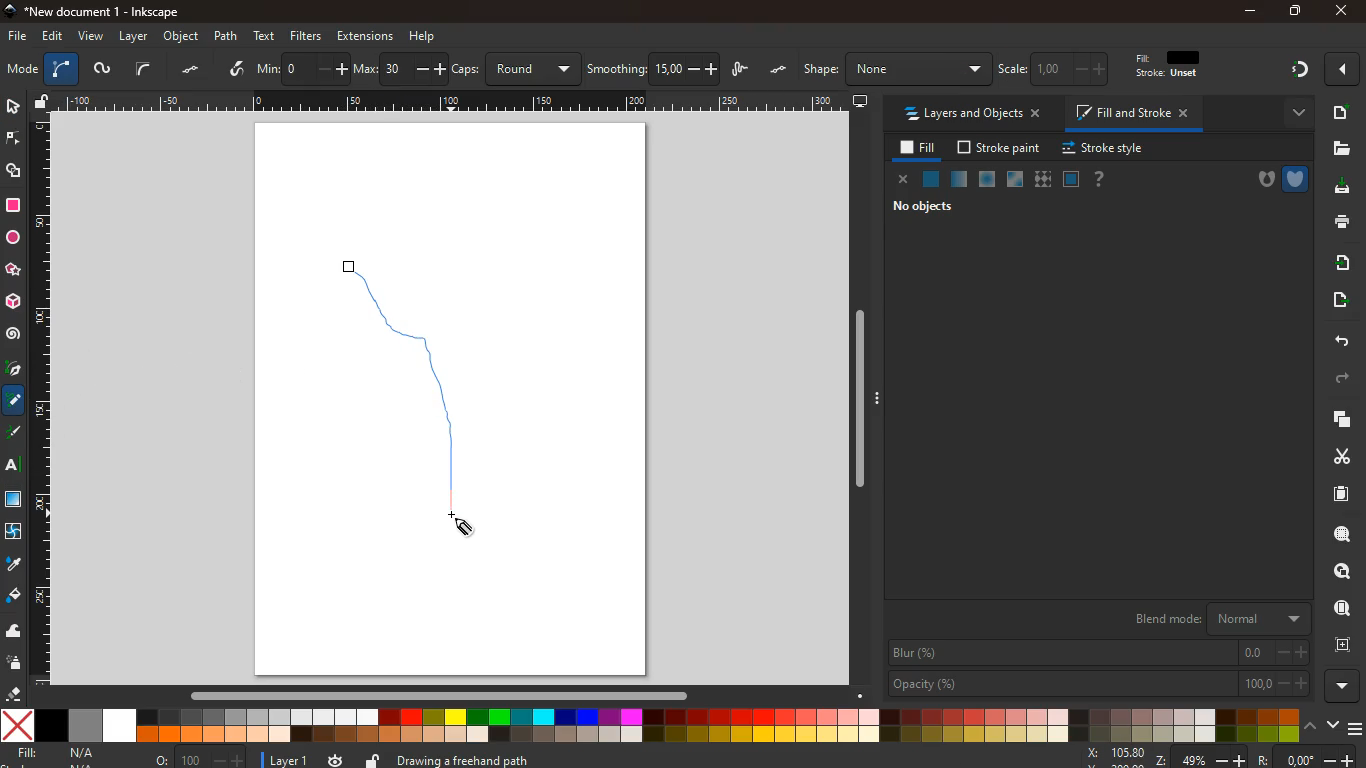 The width and height of the screenshot is (1366, 768). What do you see at coordinates (1346, 686) in the screenshot?
I see `more` at bounding box center [1346, 686].